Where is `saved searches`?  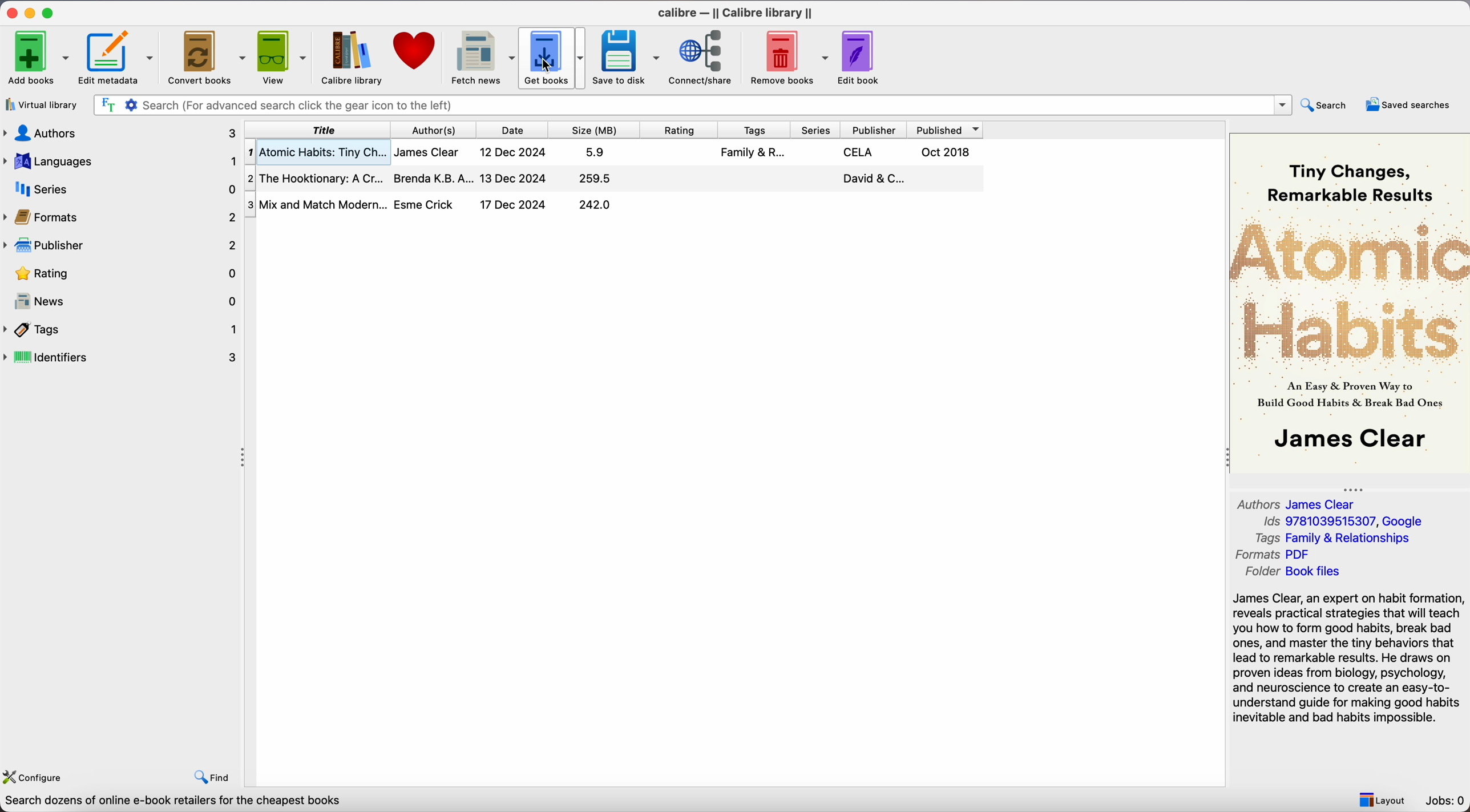 saved searches is located at coordinates (1408, 103).